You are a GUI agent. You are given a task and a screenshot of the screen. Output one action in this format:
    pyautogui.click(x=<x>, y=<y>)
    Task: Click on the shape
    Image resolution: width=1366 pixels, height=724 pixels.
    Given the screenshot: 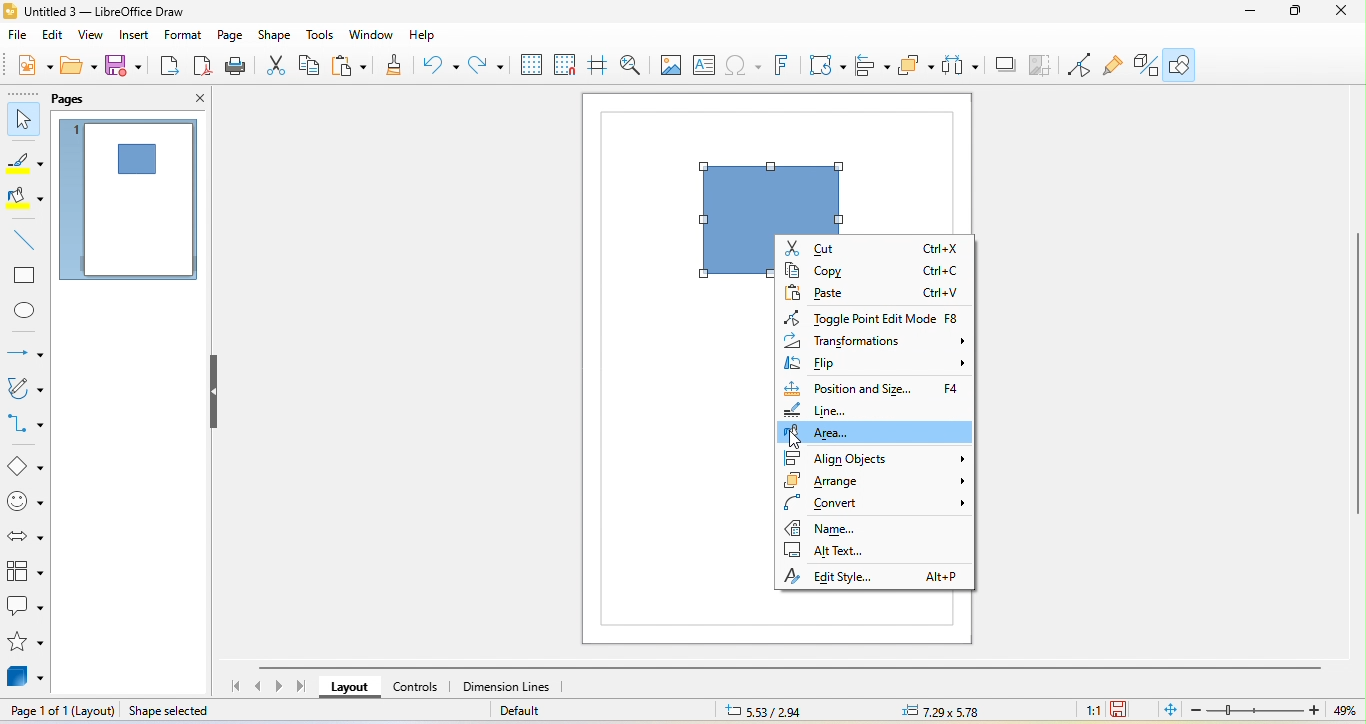 What is the action you would take?
    pyautogui.click(x=766, y=194)
    